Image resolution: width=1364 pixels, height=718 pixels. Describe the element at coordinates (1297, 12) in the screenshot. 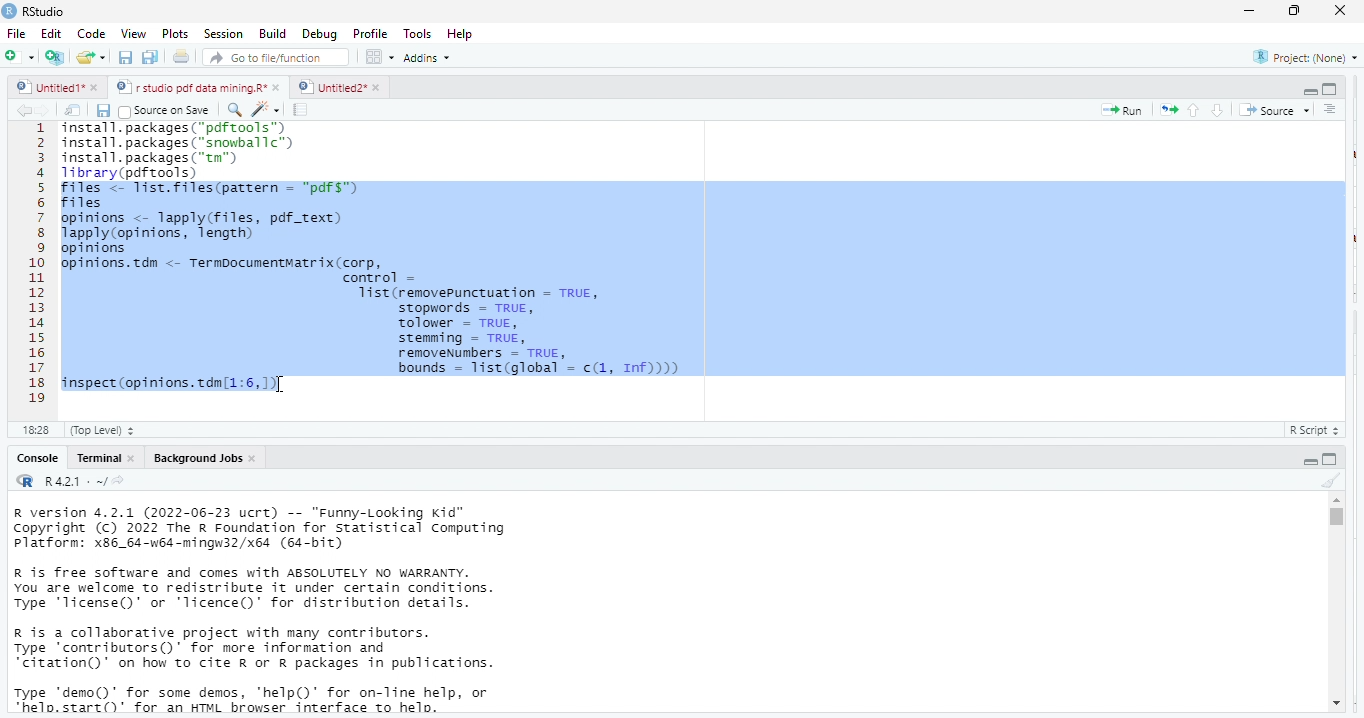

I see `maximize` at that location.